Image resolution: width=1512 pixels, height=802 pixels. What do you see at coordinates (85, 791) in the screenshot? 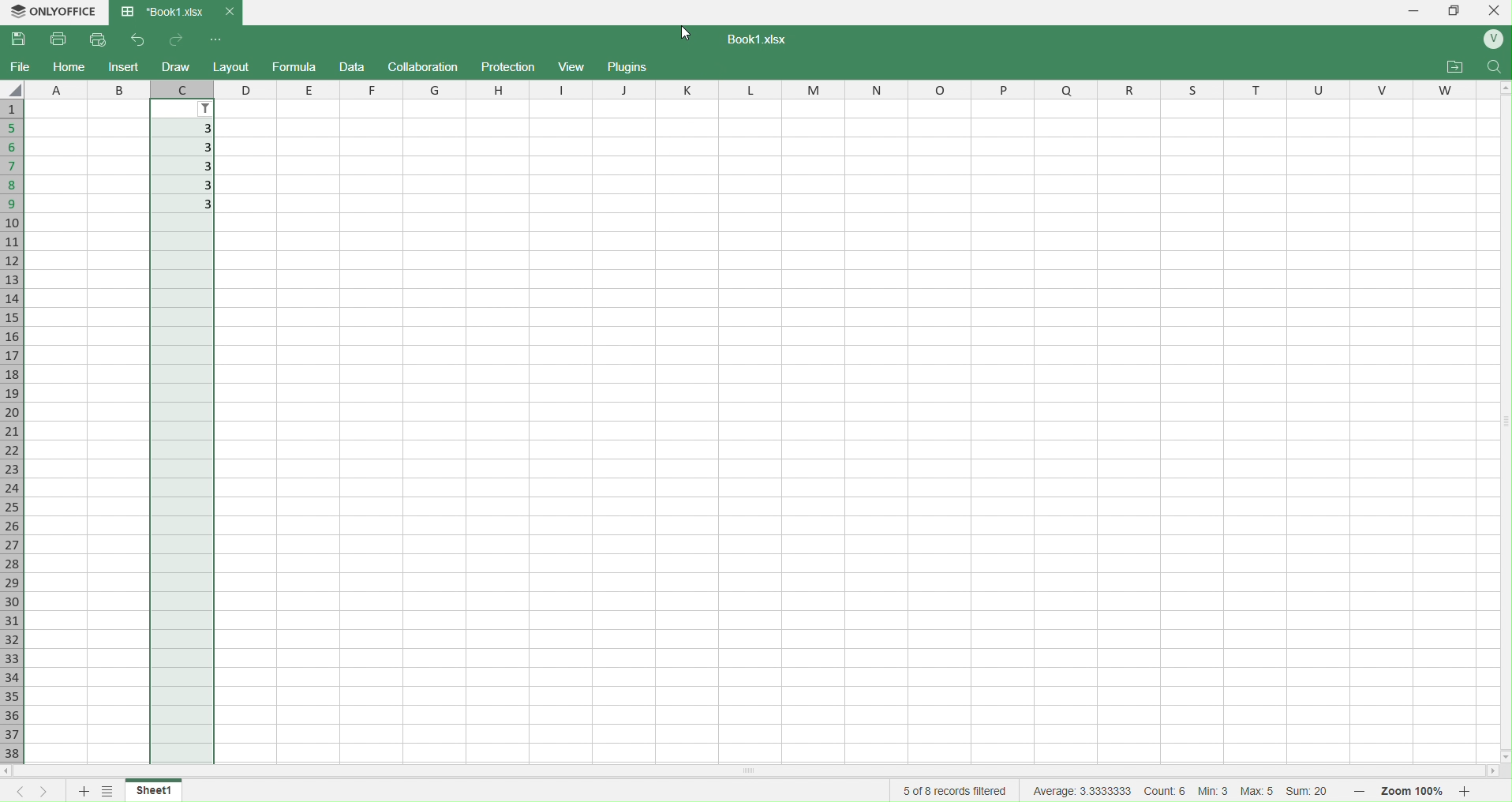
I see `new sheet` at bounding box center [85, 791].